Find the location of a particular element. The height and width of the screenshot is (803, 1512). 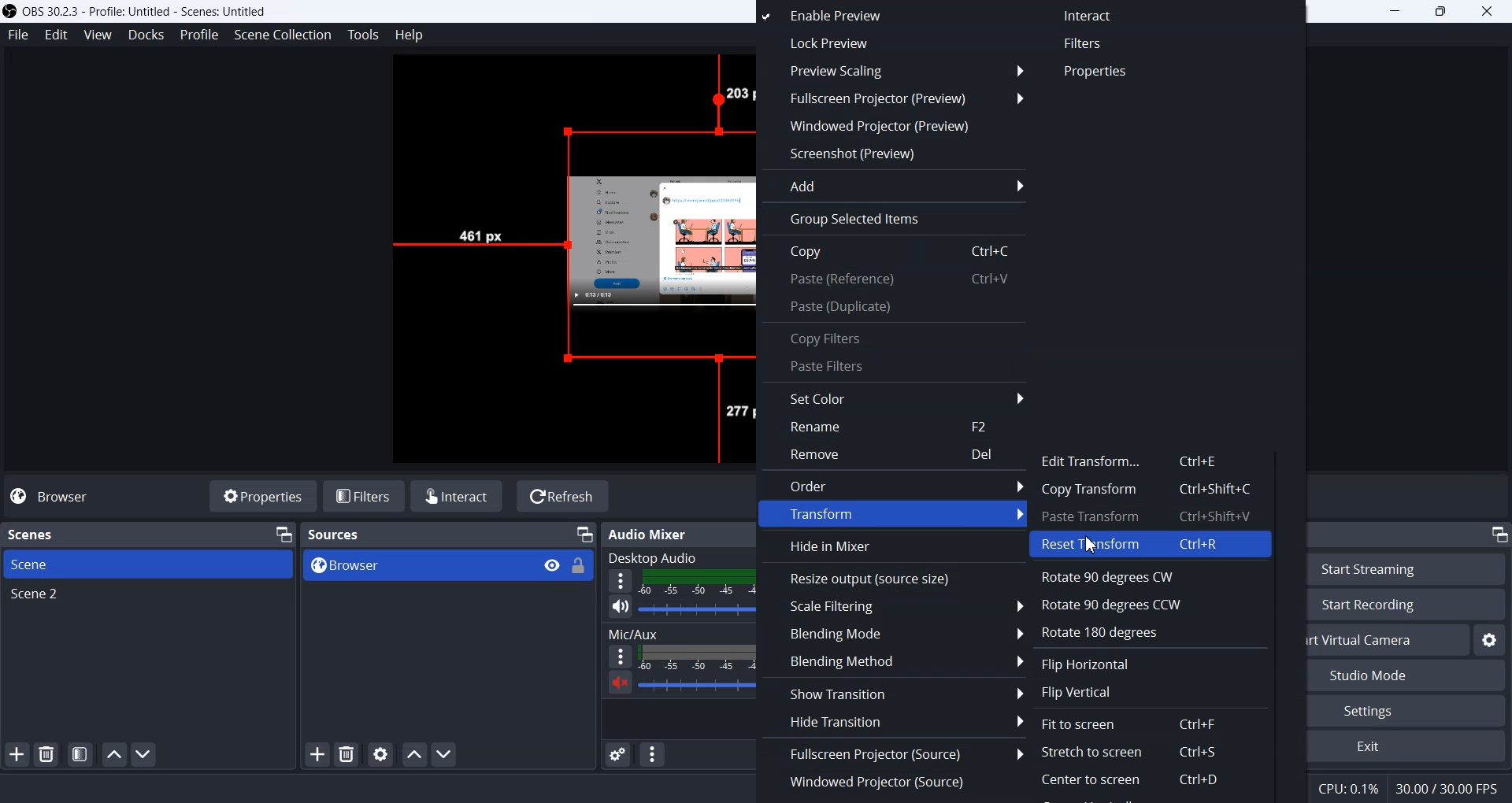

Blending Method is located at coordinates (891, 661).